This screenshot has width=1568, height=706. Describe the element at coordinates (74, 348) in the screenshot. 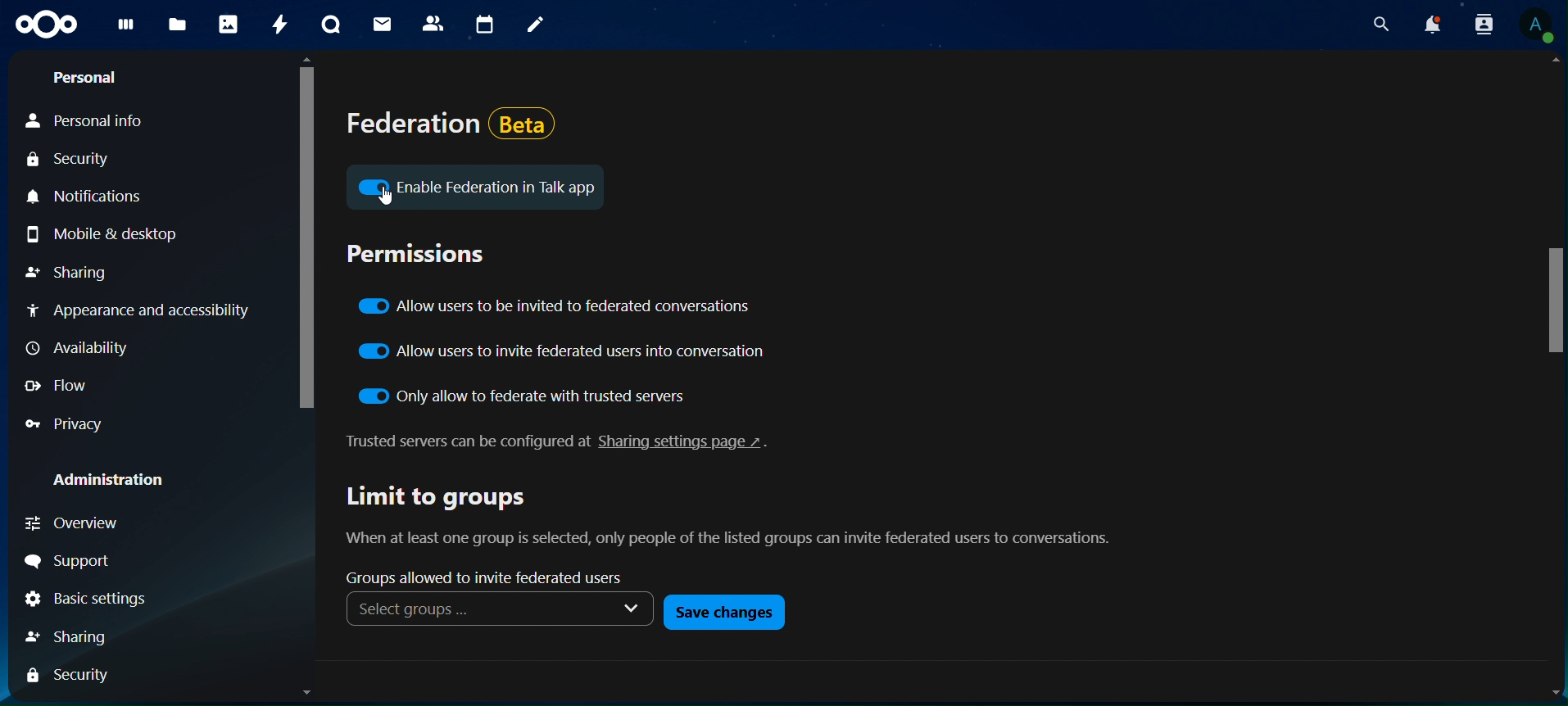

I see `Availability` at that location.